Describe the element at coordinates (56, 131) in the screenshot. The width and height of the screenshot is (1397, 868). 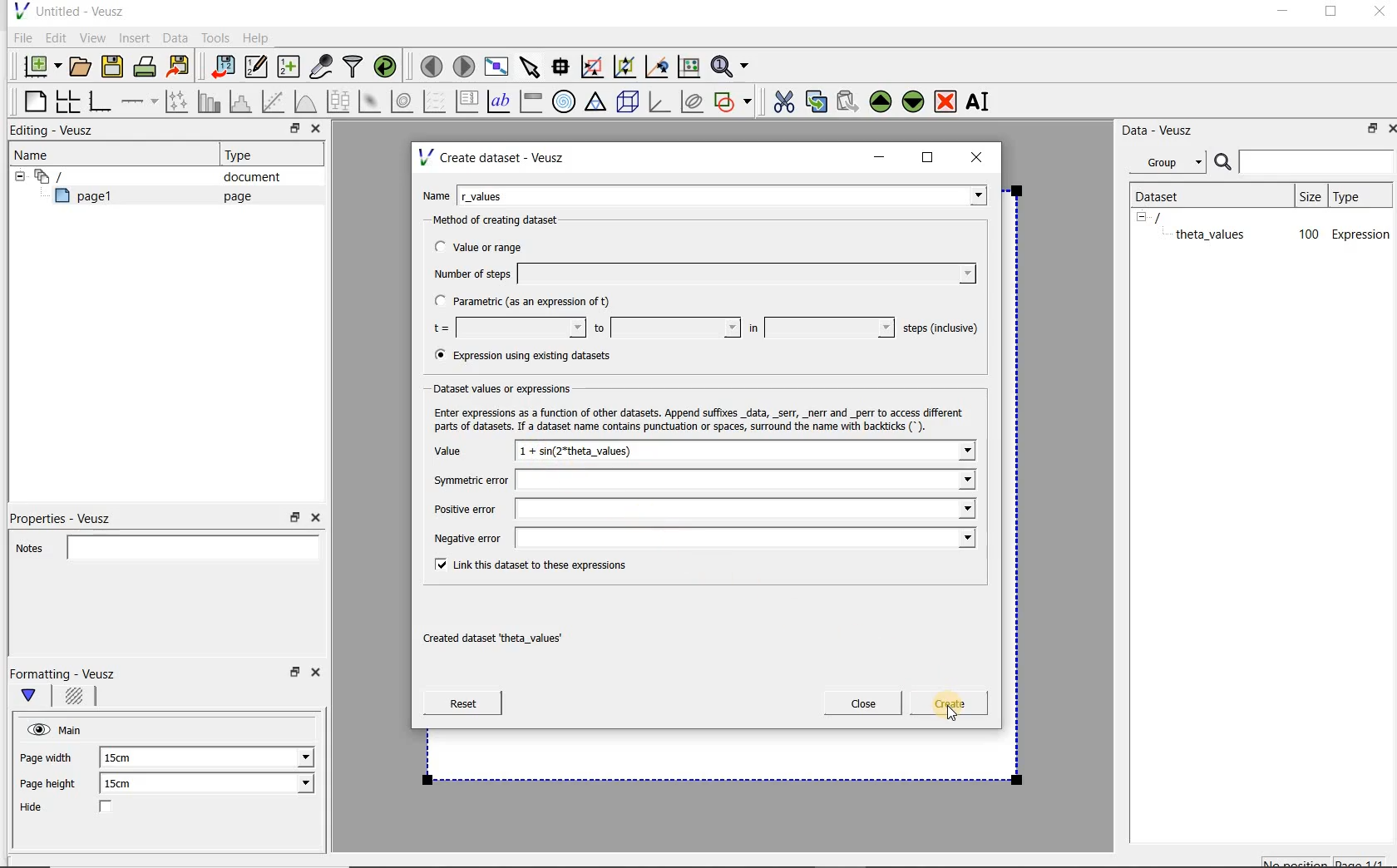
I see `Editing - Veusz` at that location.